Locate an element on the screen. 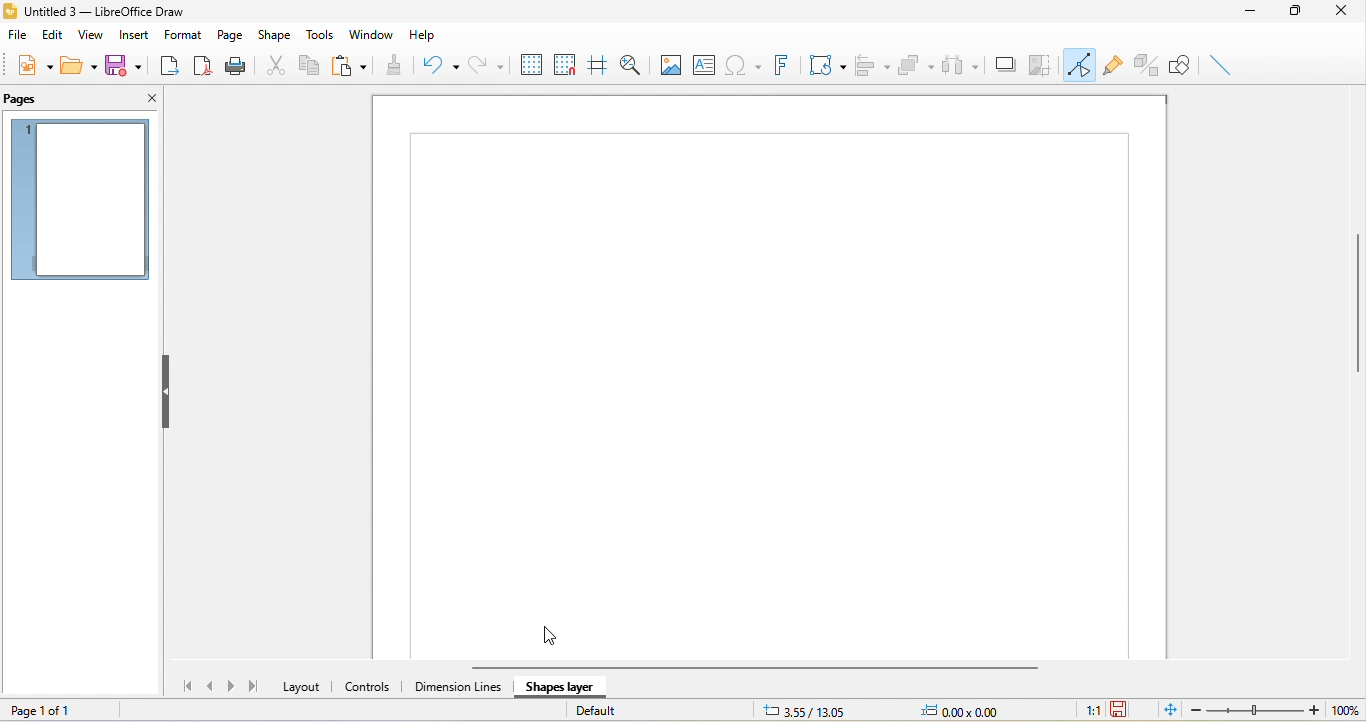 Image resolution: width=1366 pixels, height=722 pixels. helpline while moving is located at coordinates (596, 65).